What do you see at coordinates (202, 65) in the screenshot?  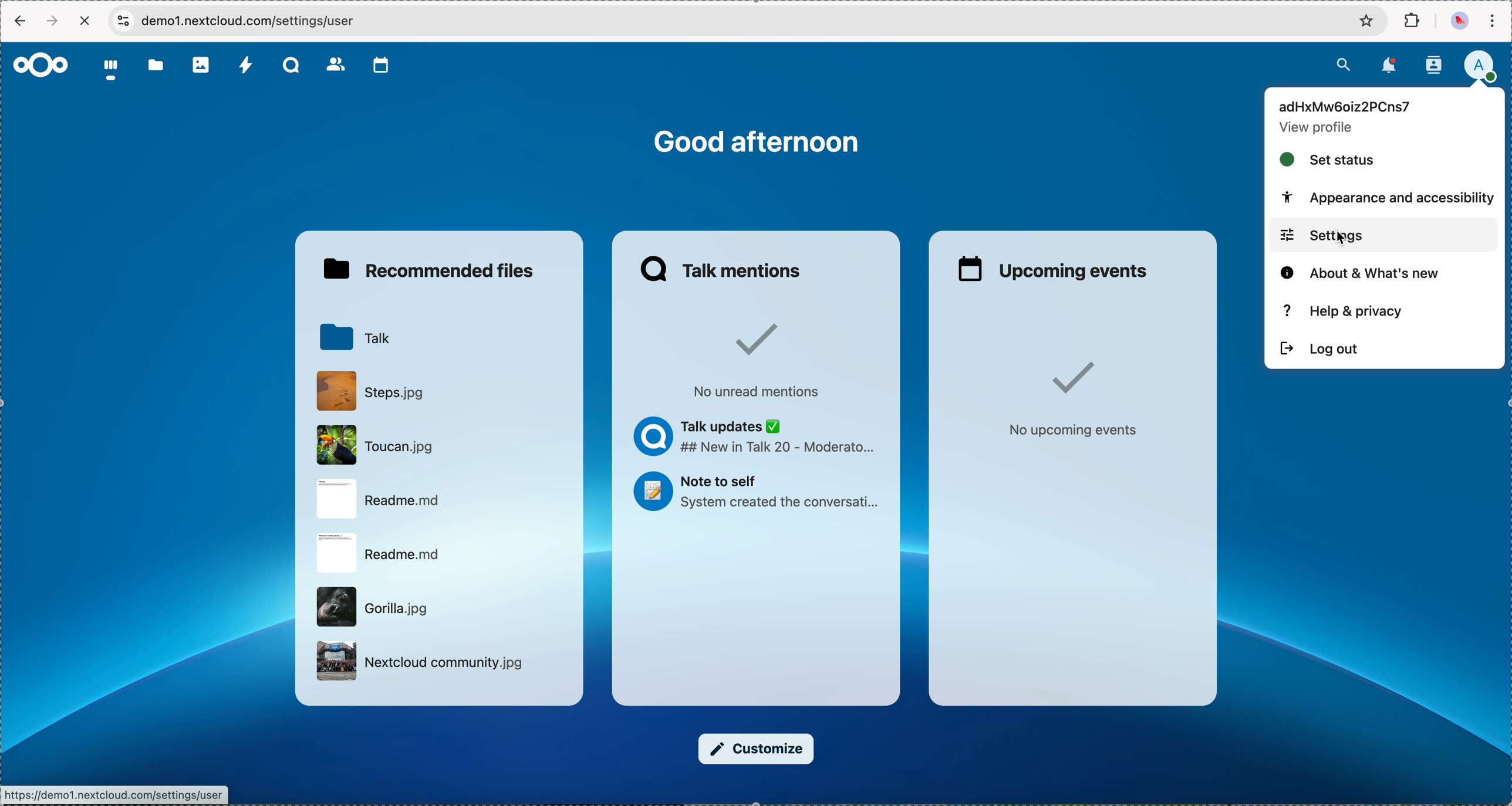 I see `photos` at bounding box center [202, 65].